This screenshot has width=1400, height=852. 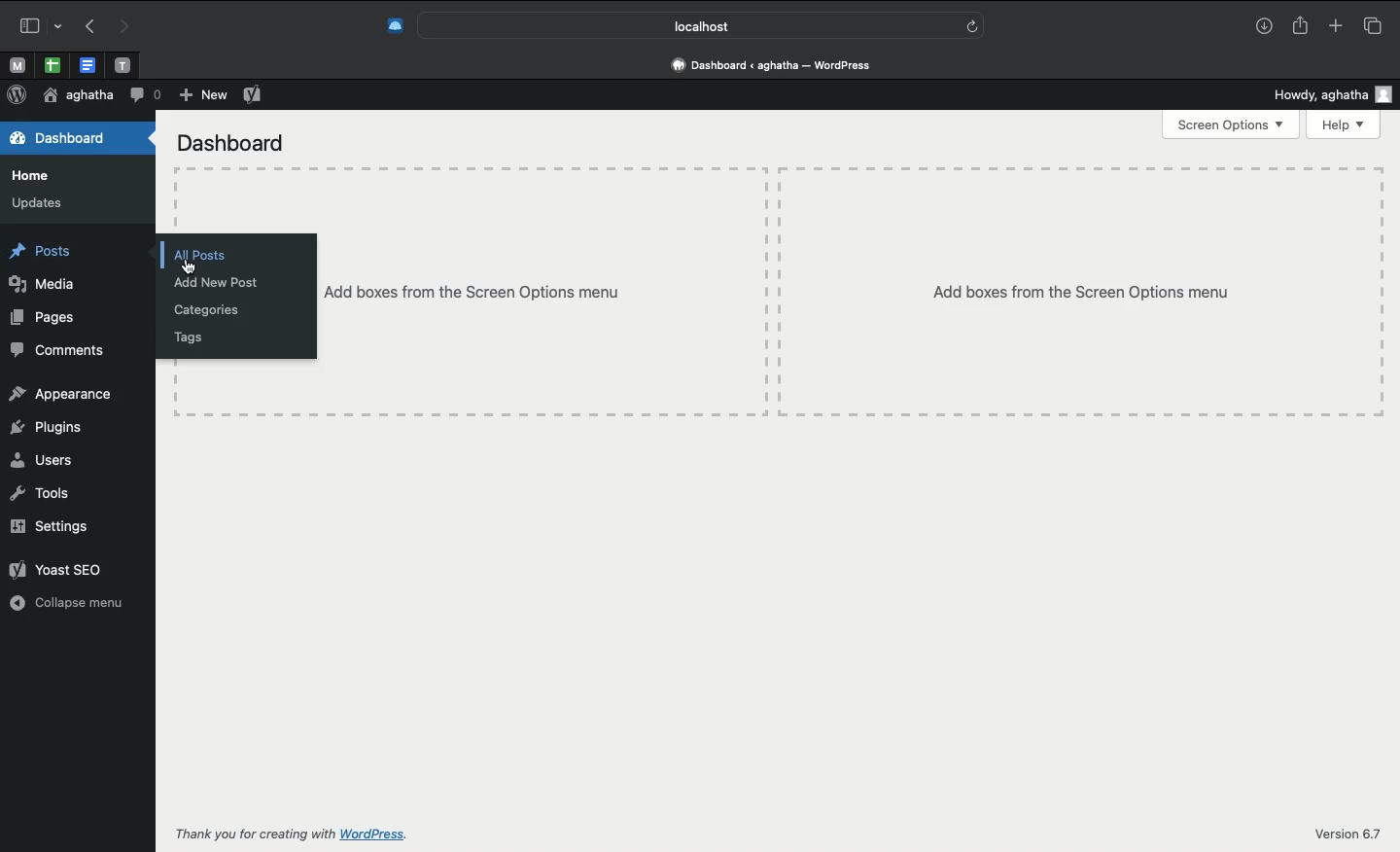 What do you see at coordinates (201, 95) in the screenshot?
I see `New` at bounding box center [201, 95].